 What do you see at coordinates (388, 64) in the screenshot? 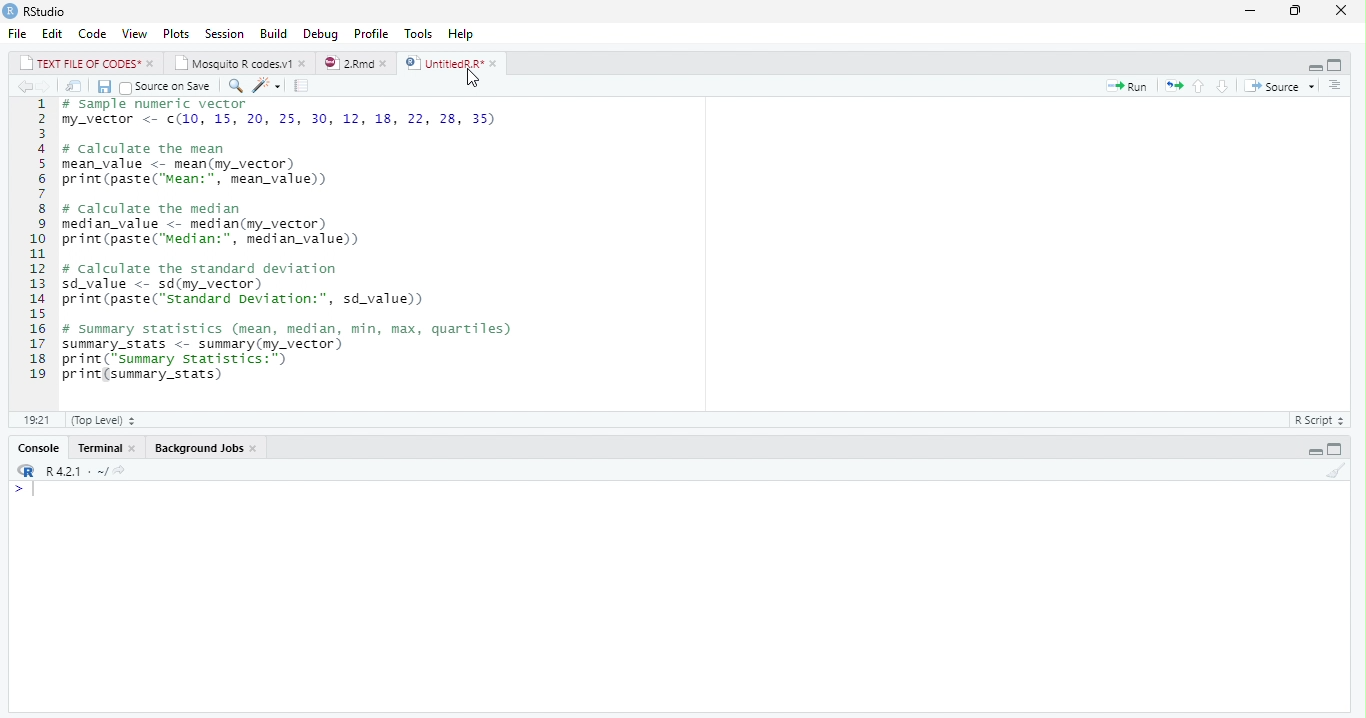
I see `close` at bounding box center [388, 64].